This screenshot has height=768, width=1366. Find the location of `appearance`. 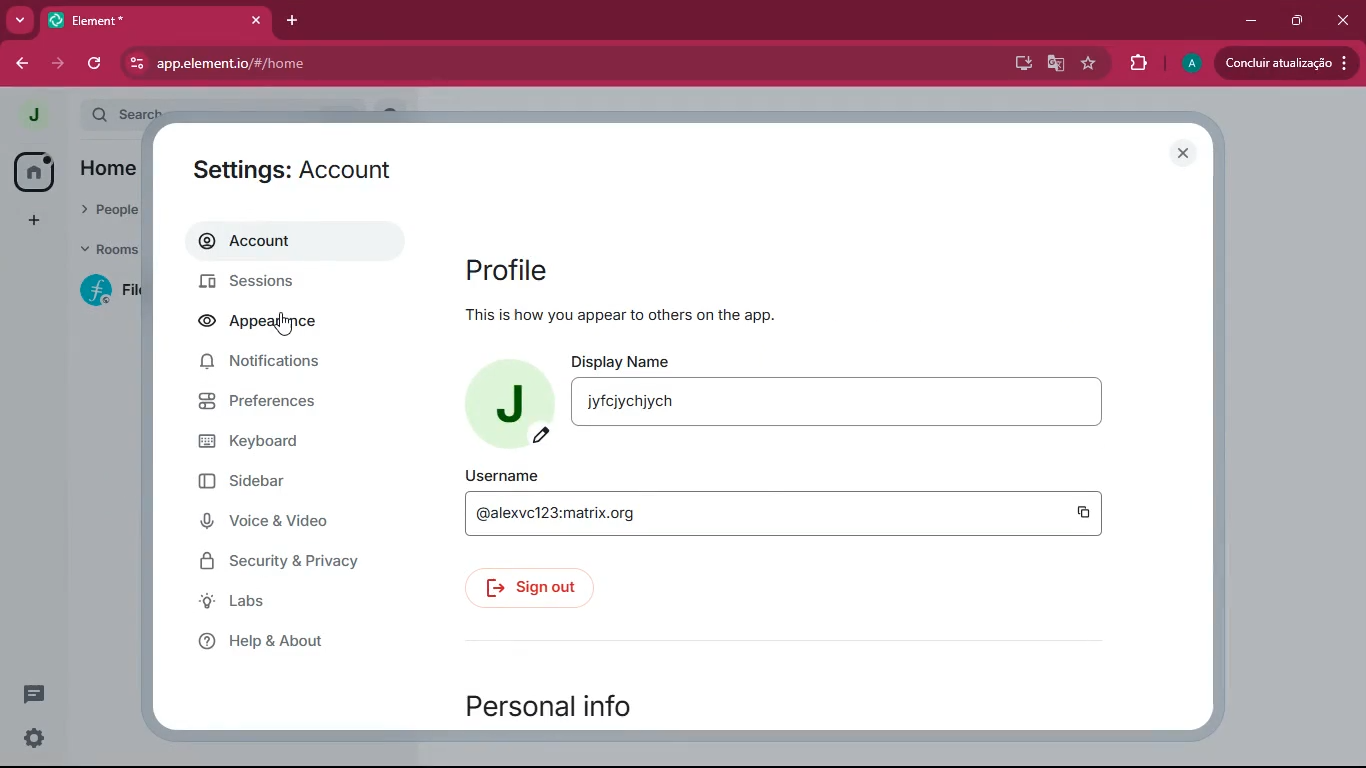

appearance is located at coordinates (265, 324).